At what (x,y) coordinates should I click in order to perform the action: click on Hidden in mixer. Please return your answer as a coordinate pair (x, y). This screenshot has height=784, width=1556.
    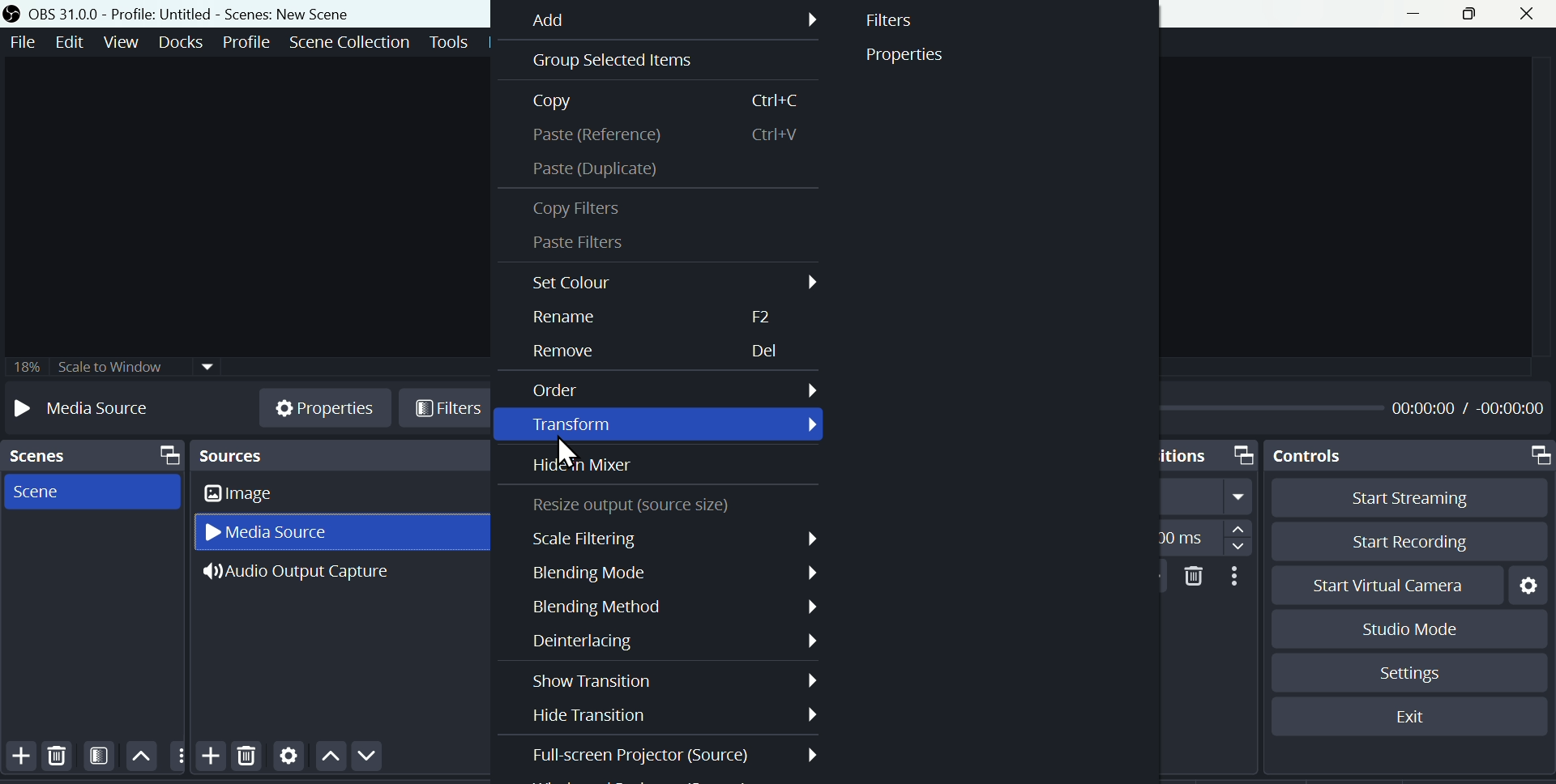
    Looking at the image, I should click on (592, 467).